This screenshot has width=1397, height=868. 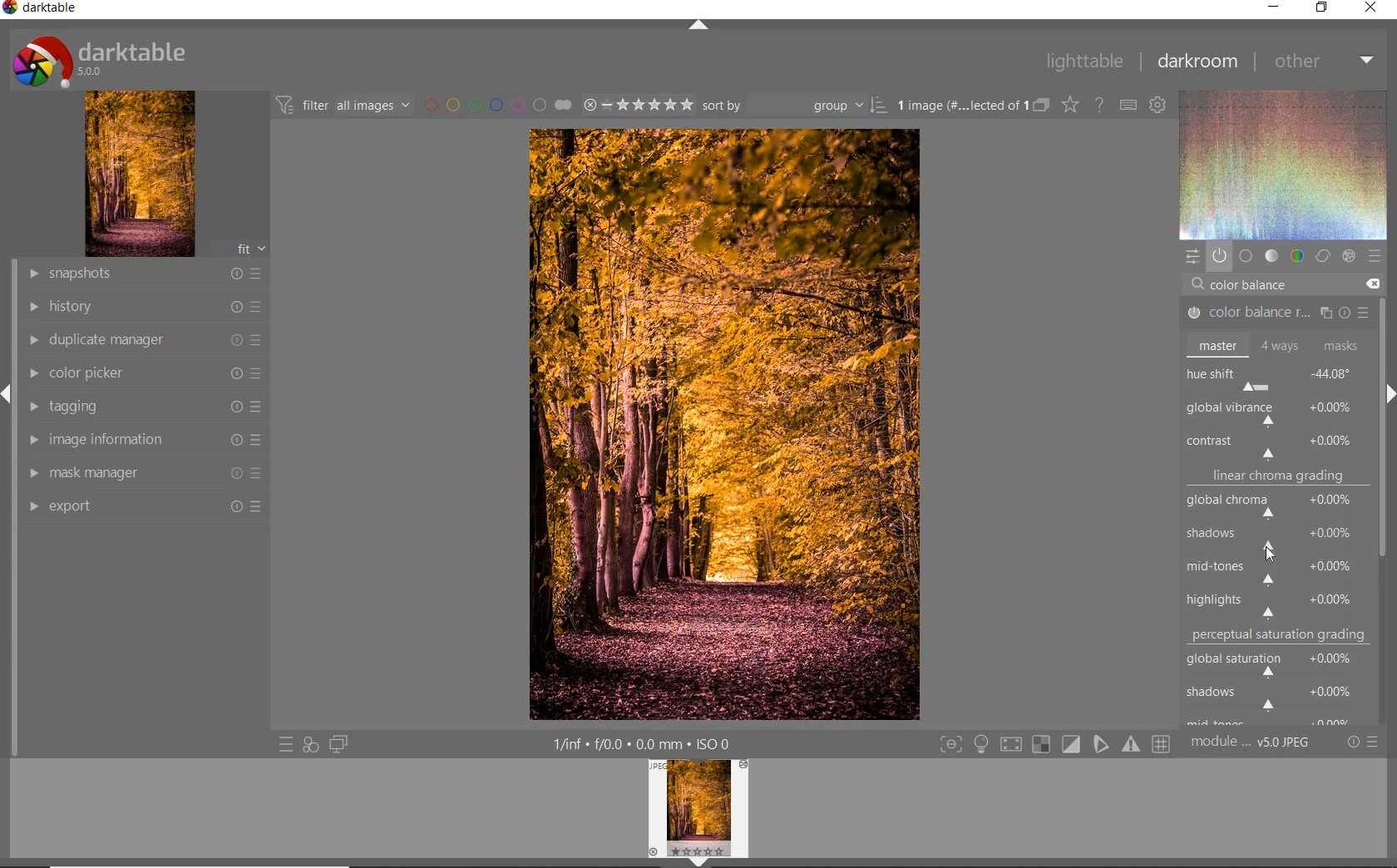 What do you see at coordinates (1278, 662) in the screenshot?
I see `global saturation` at bounding box center [1278, 662].